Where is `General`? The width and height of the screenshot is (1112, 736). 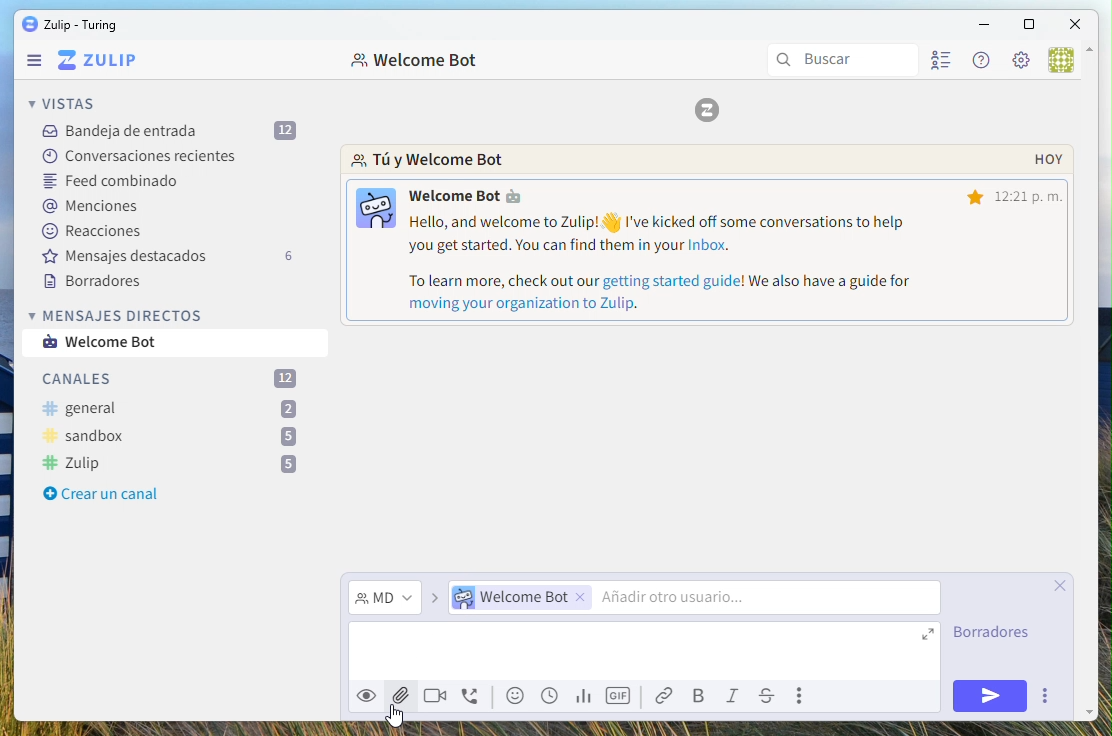 General is located at coordinates (169, 410).